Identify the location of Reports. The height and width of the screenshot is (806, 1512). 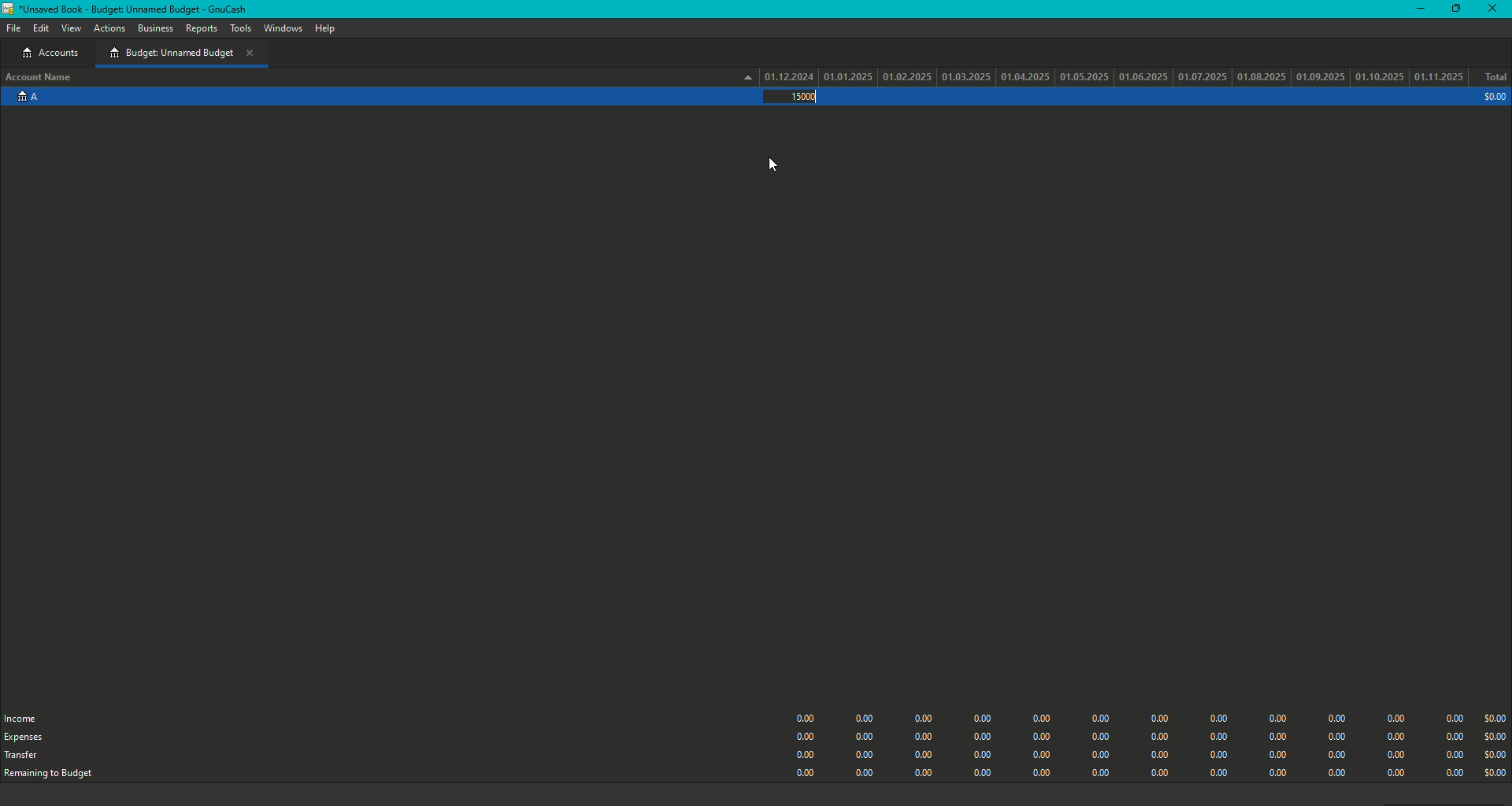
(201, 31).